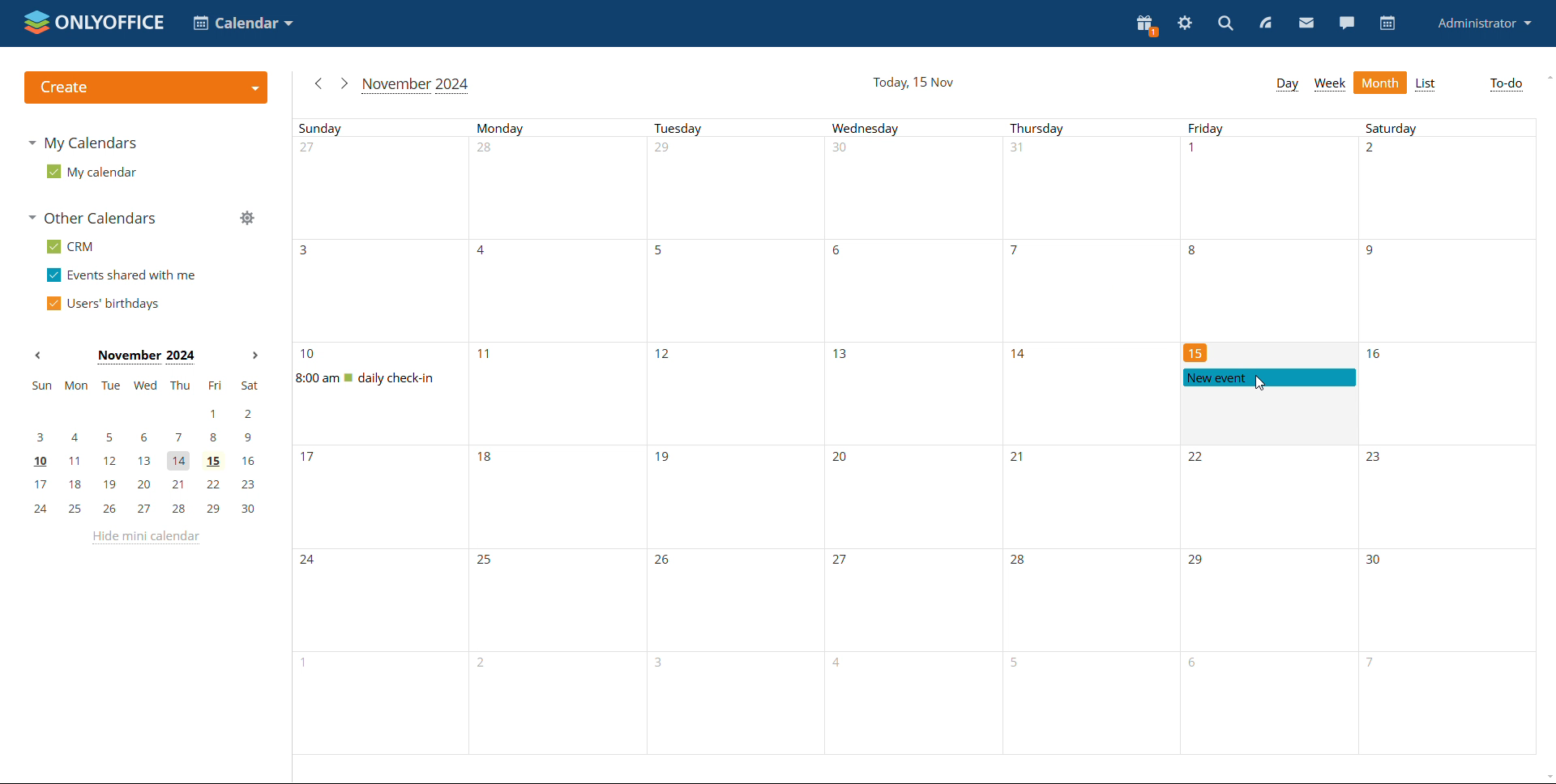 The image size is (1556, 784). Describe the element at coordinates (242, 23) in the screenshot. I see `select application` at that location.